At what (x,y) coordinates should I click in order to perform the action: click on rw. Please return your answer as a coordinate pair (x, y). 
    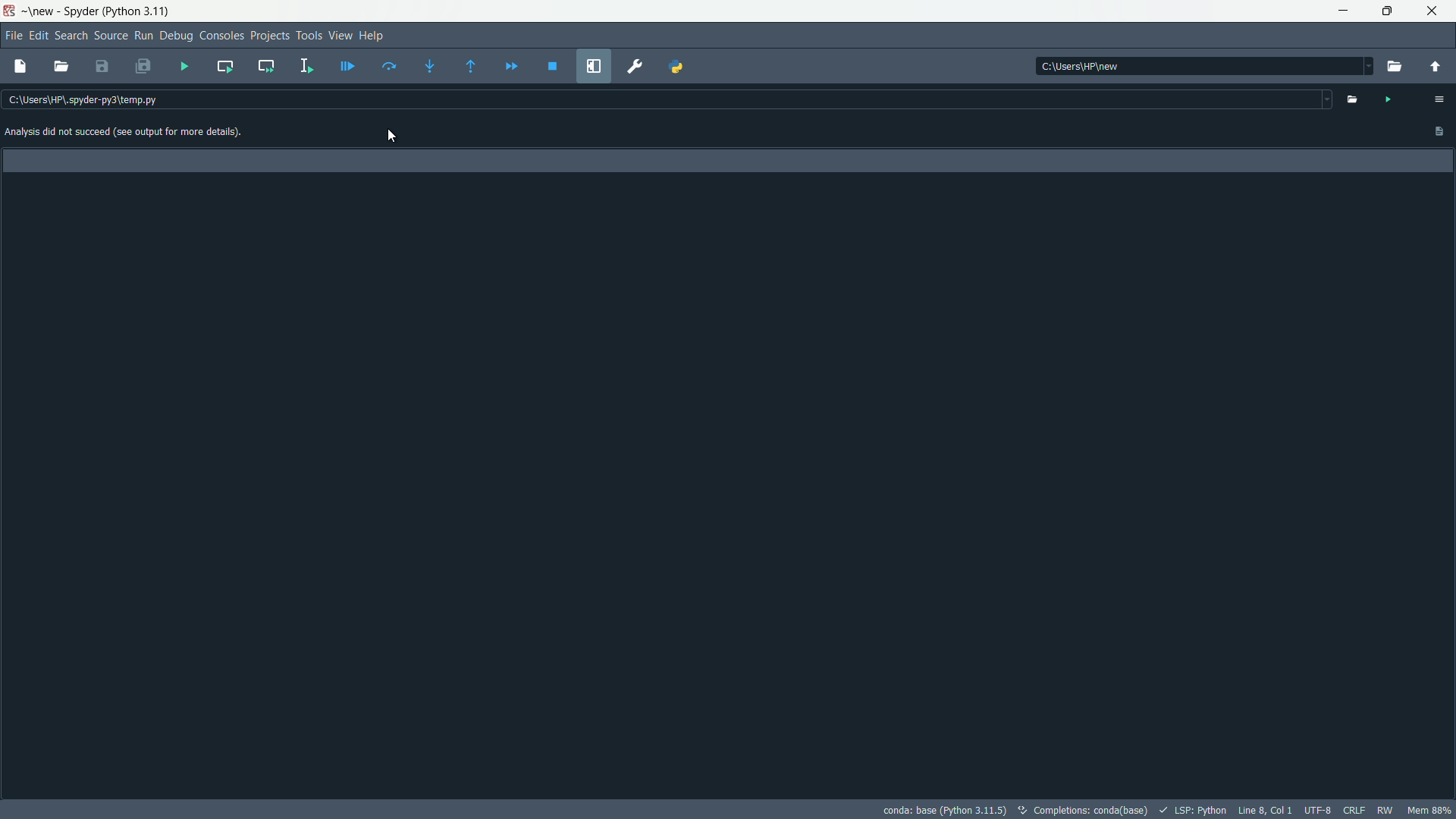
    Looking at the image, I should click on (1388, 810).